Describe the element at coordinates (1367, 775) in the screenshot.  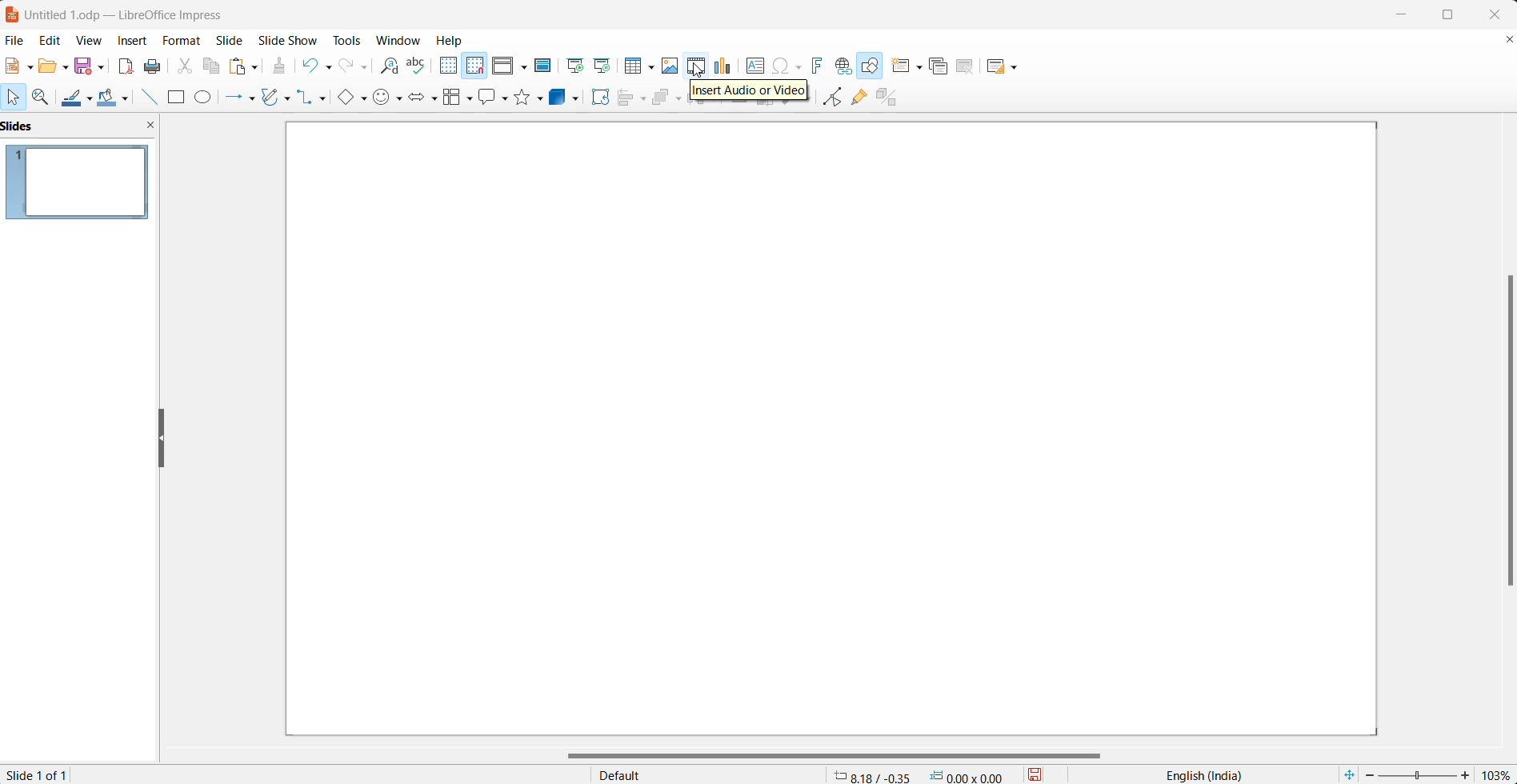
I see `decrease zoom` at that location.